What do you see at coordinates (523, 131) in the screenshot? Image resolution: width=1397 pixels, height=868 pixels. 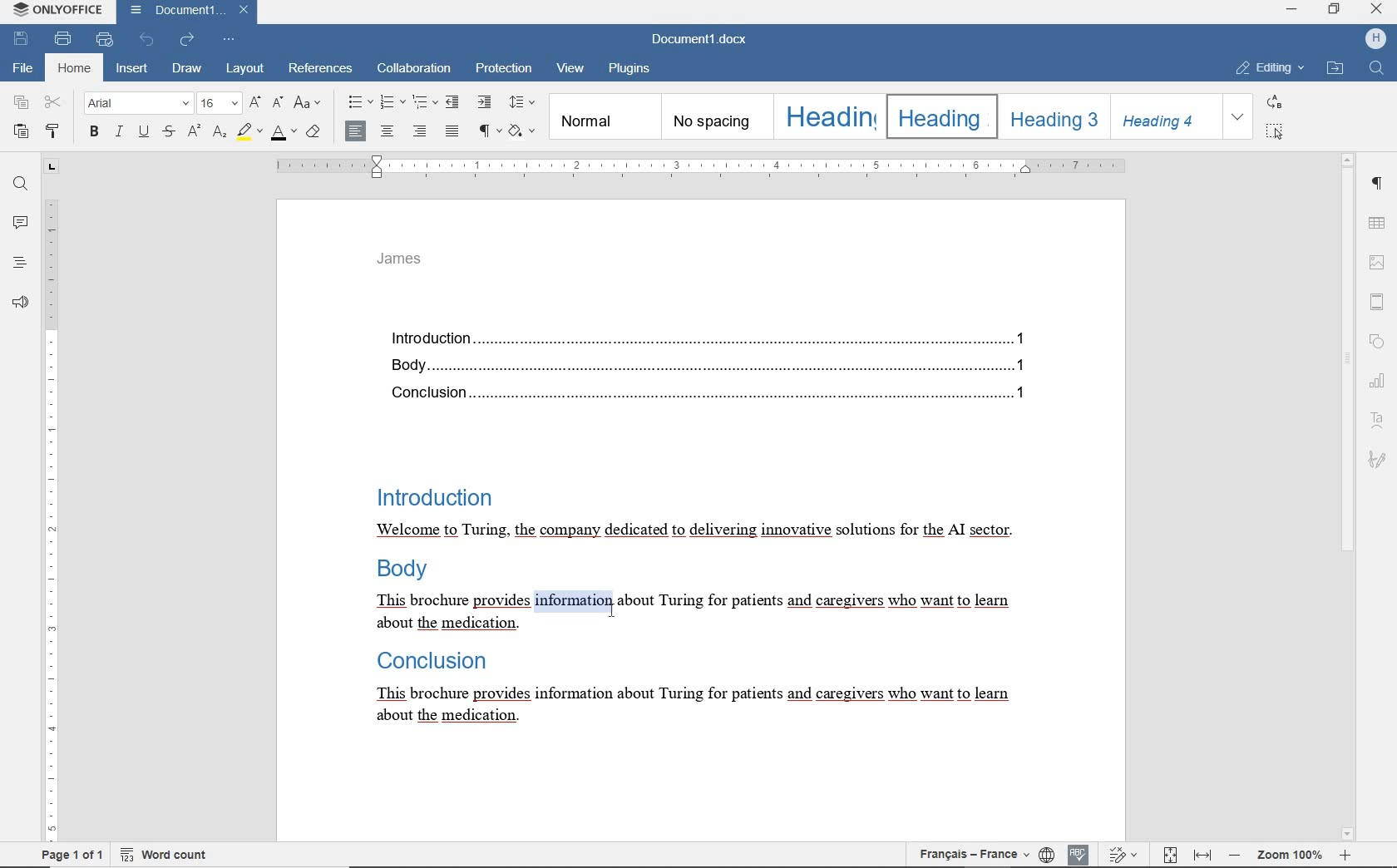 I see `SHADING` at bounding box center [523, 131].